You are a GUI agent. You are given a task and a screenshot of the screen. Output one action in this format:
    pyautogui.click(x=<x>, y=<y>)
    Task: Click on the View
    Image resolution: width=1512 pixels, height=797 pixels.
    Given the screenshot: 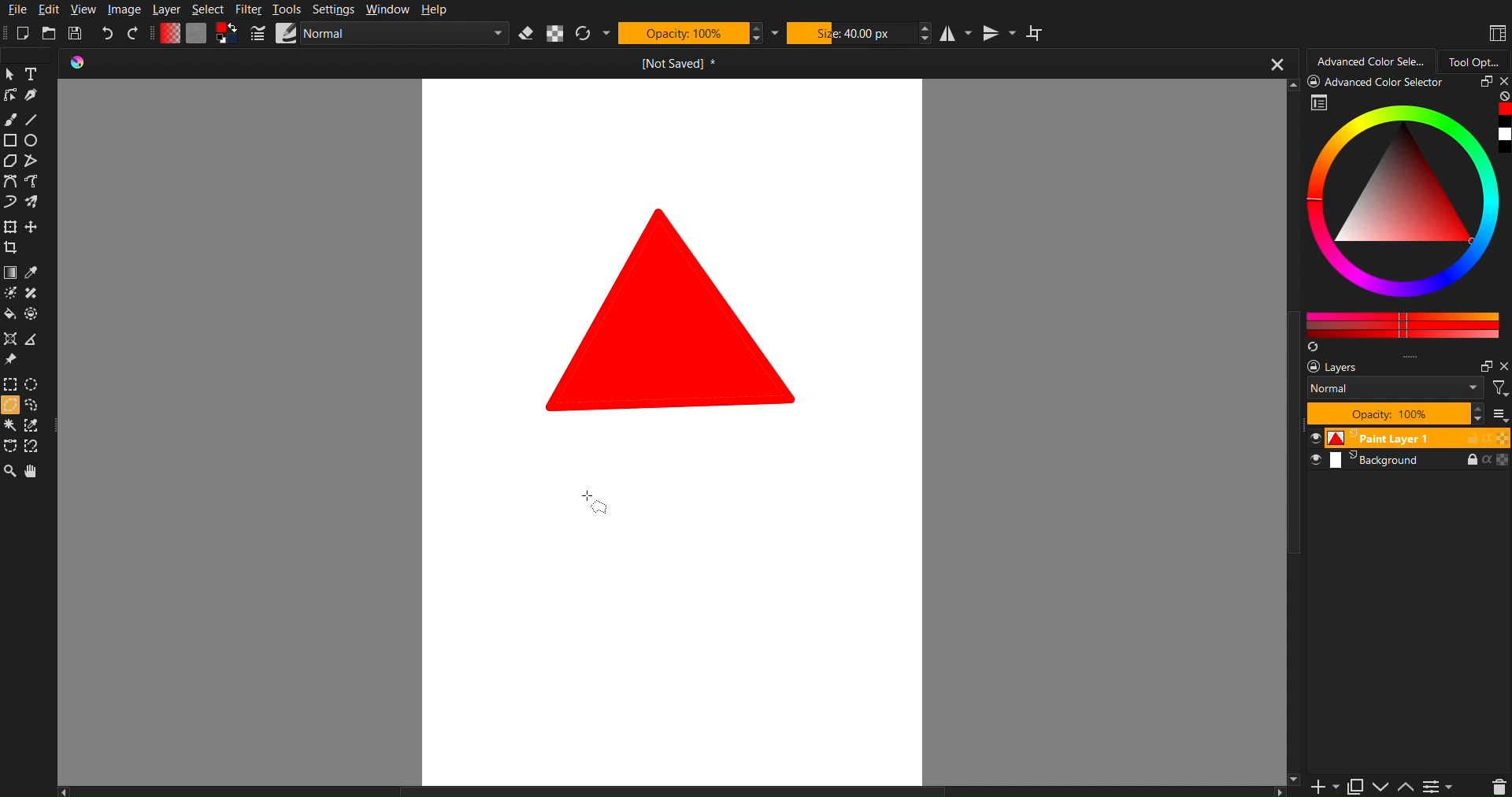 What is the action you would take?
    pyautogui.click(x=87, y=9)
    